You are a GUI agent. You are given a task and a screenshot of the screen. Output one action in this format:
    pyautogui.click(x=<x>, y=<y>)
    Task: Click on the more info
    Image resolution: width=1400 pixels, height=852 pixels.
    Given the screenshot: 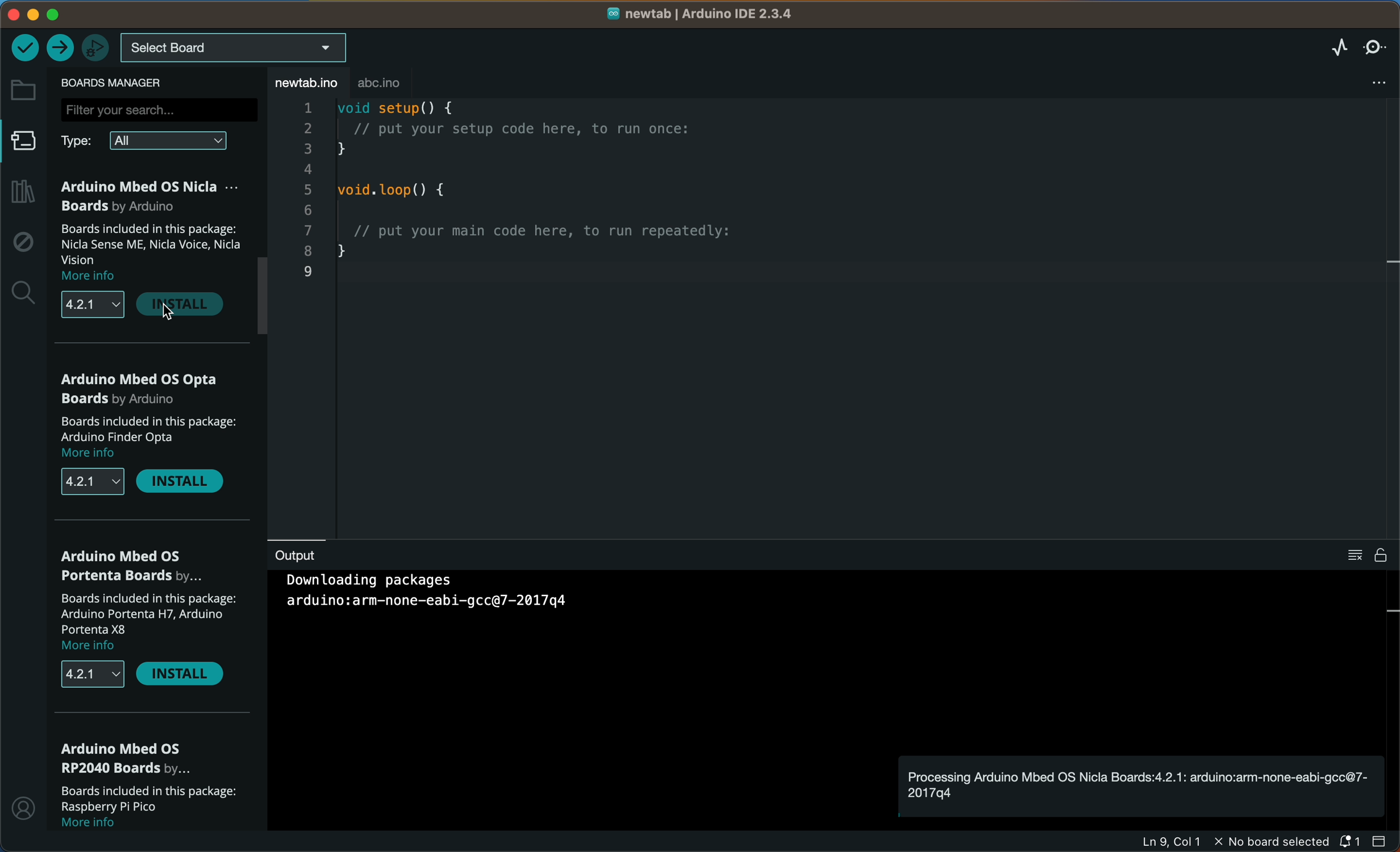 What is the action you would take?
    pyautogui.click(x=99, y=276)
    